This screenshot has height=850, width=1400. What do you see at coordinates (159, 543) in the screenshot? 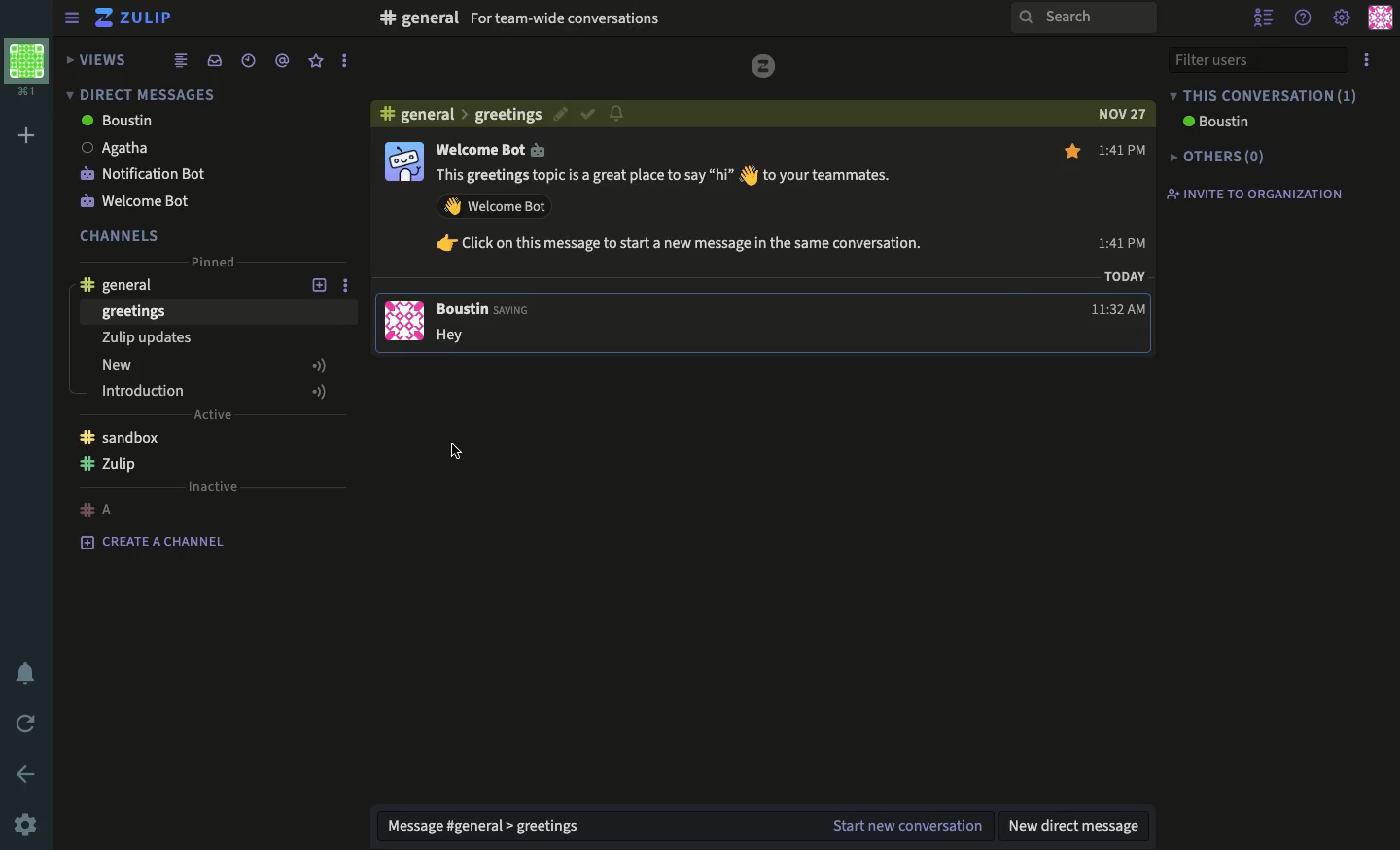
I see `create a channel` at bounding box center [159, 543].